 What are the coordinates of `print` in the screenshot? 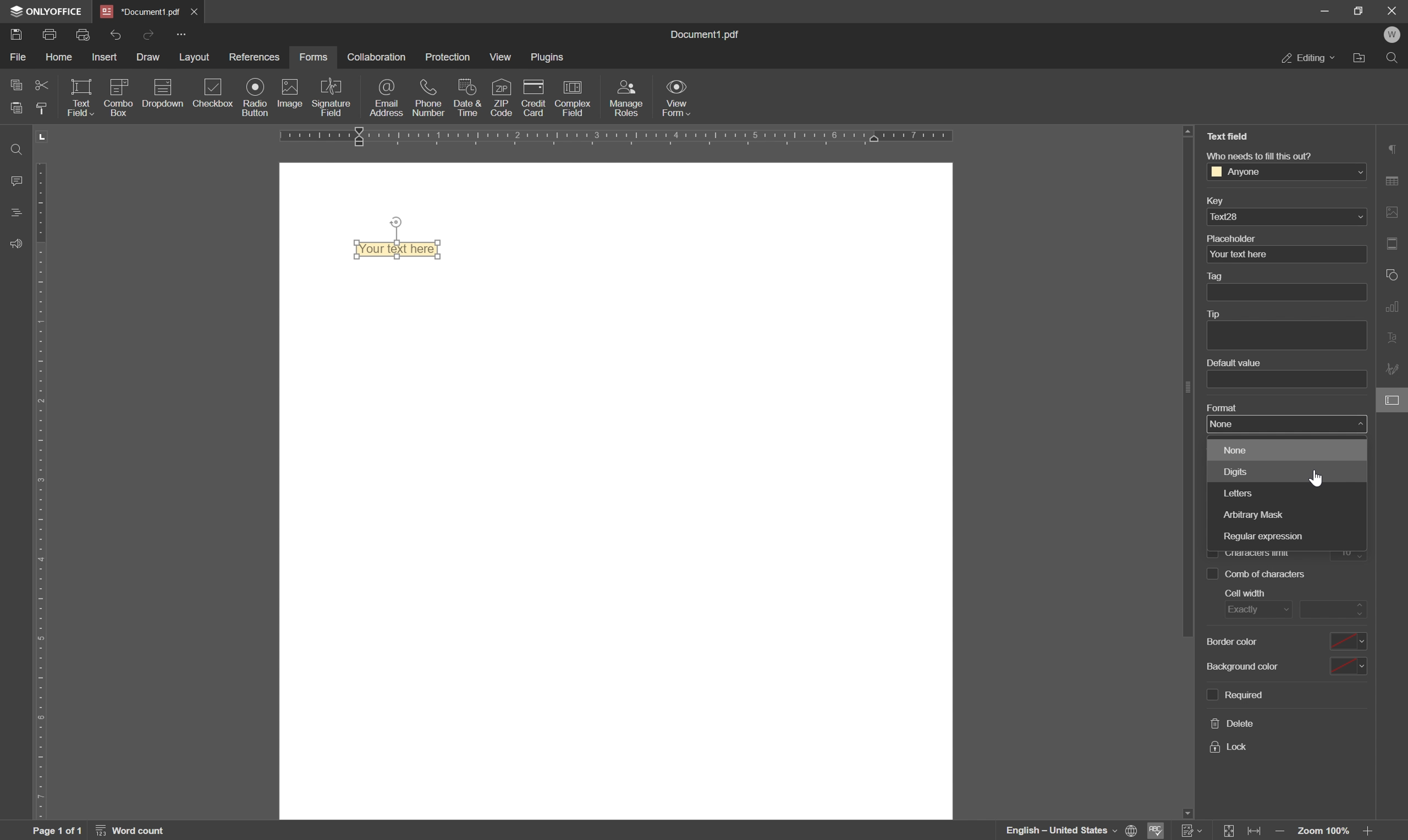 It's located at (52, 36).